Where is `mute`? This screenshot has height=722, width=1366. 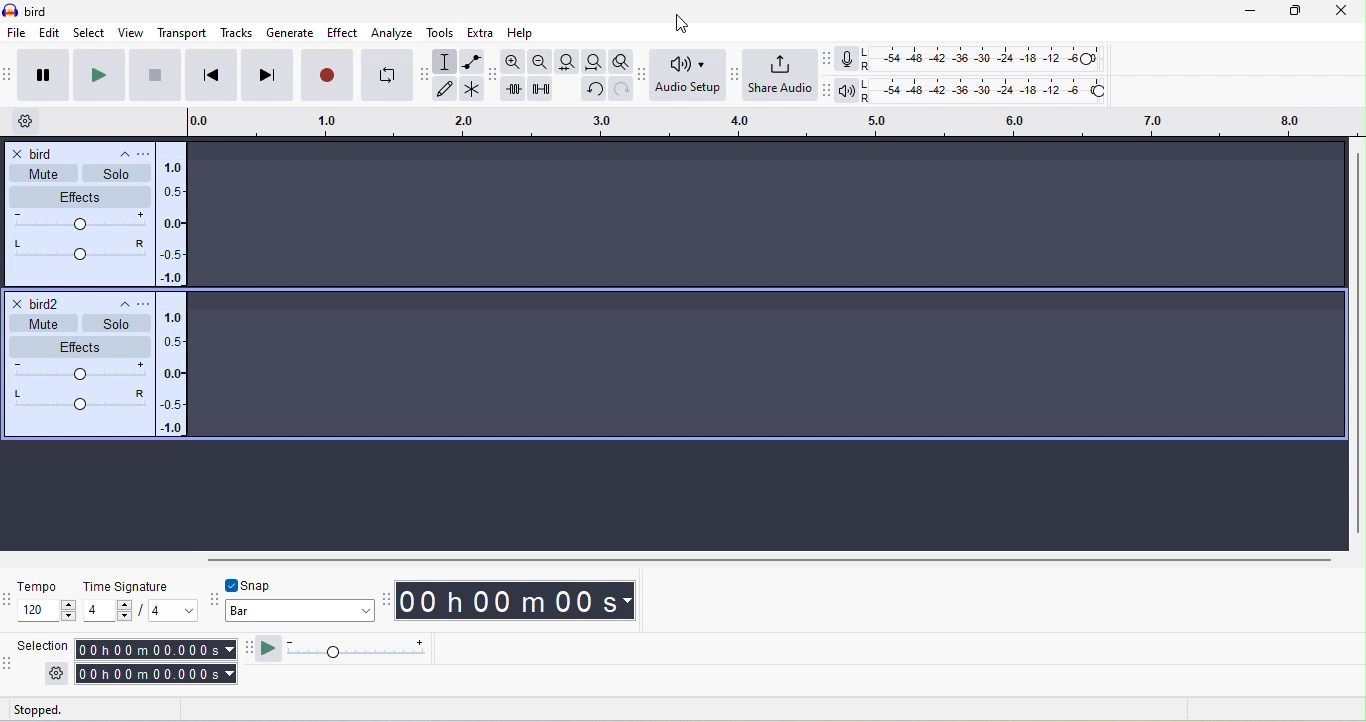 mute is located at coordinates (39, 323).